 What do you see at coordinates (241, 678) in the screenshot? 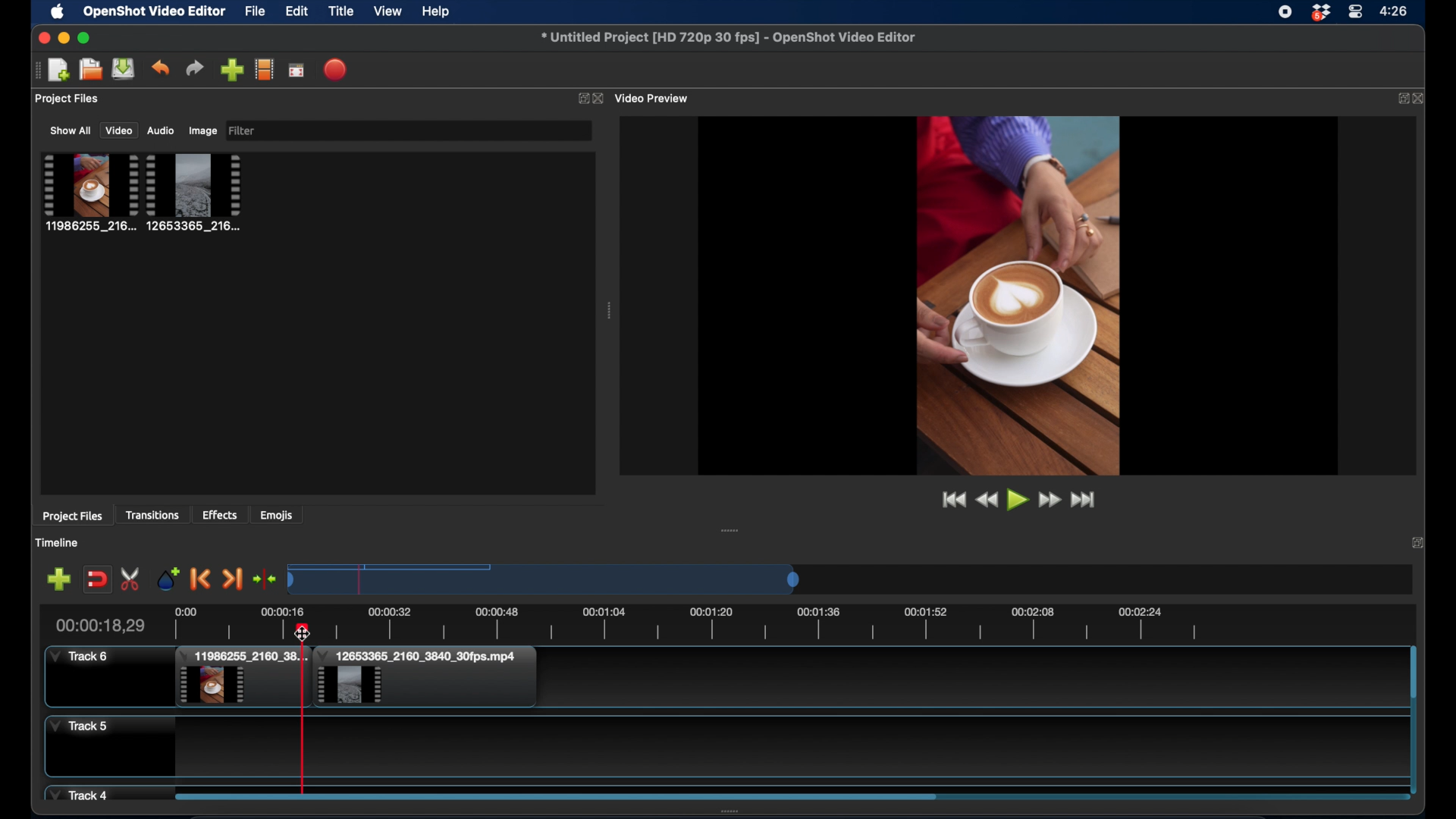
I see `clip` at bounding box center [241, 678].